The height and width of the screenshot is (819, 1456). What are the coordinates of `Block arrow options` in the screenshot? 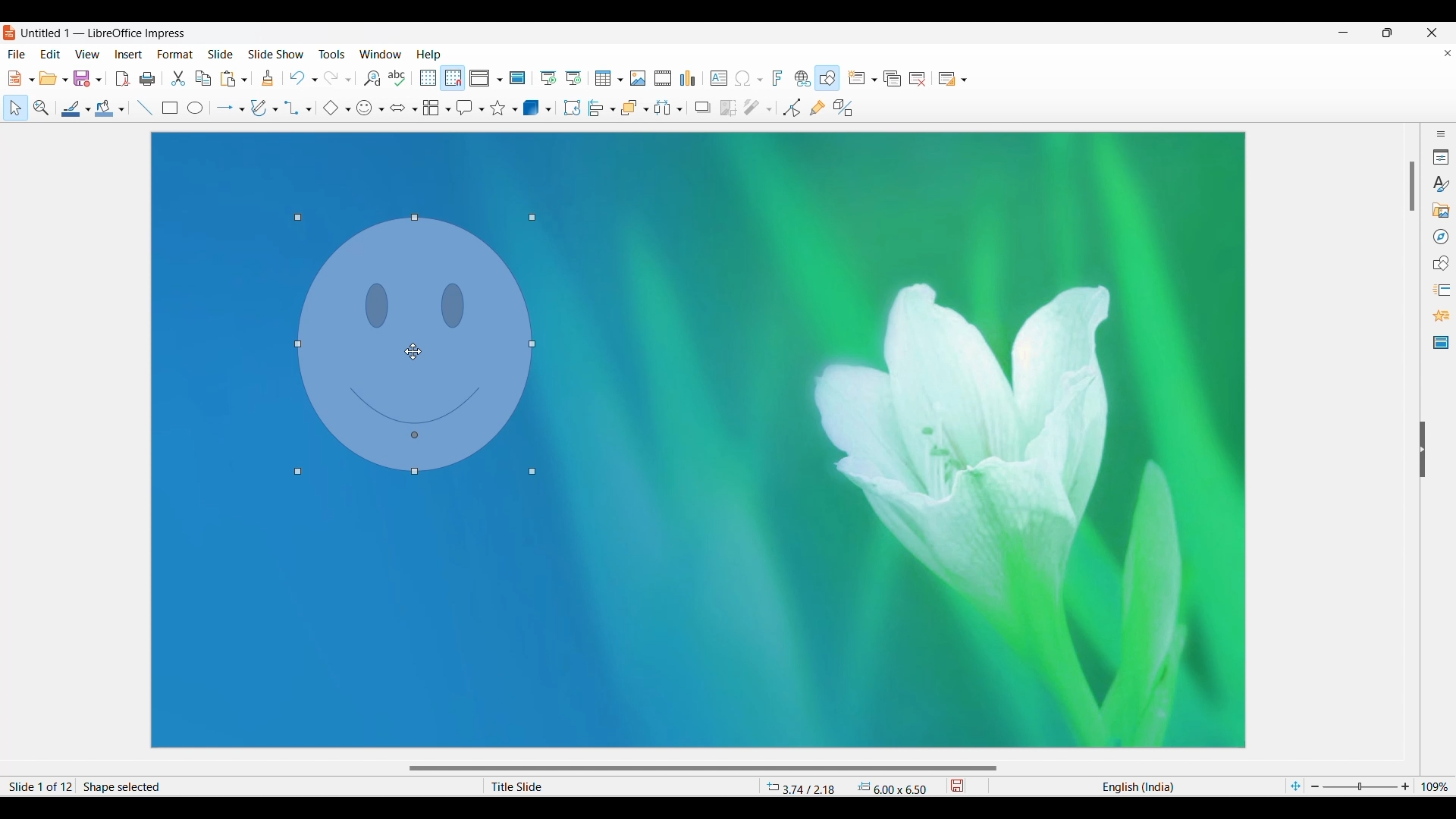 It's located at (416, 109).